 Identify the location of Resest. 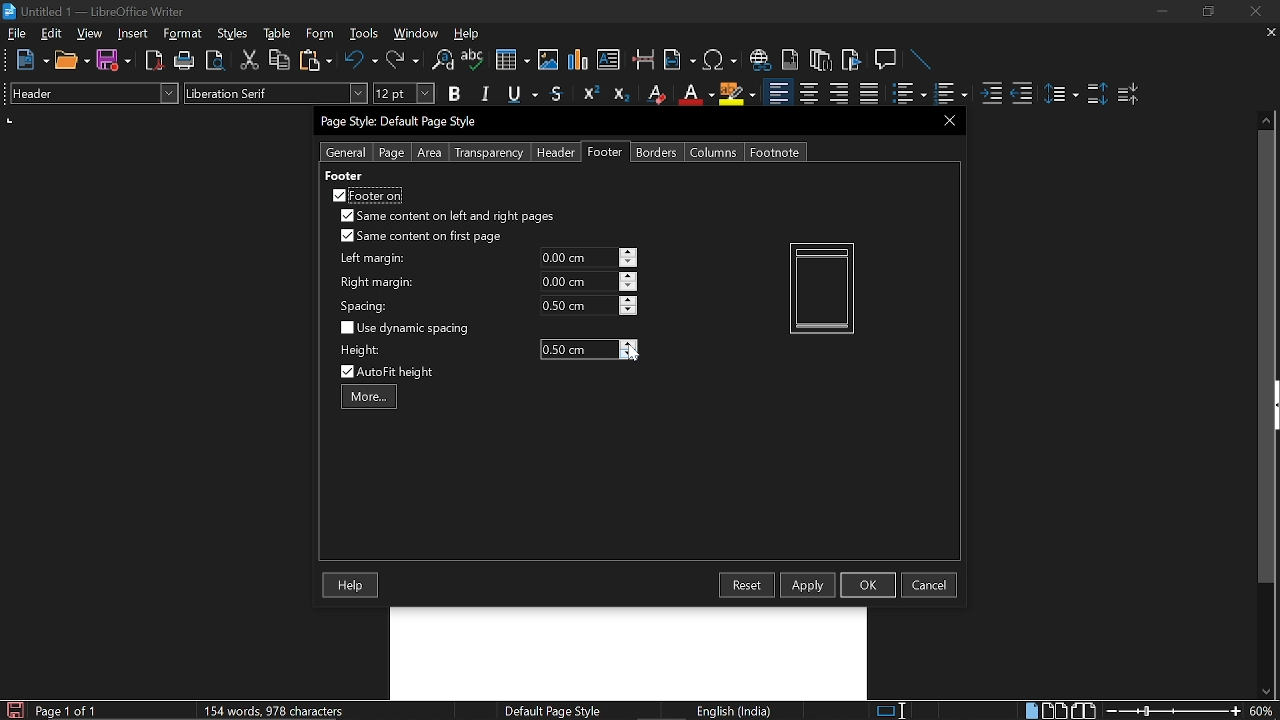
(747, 585).